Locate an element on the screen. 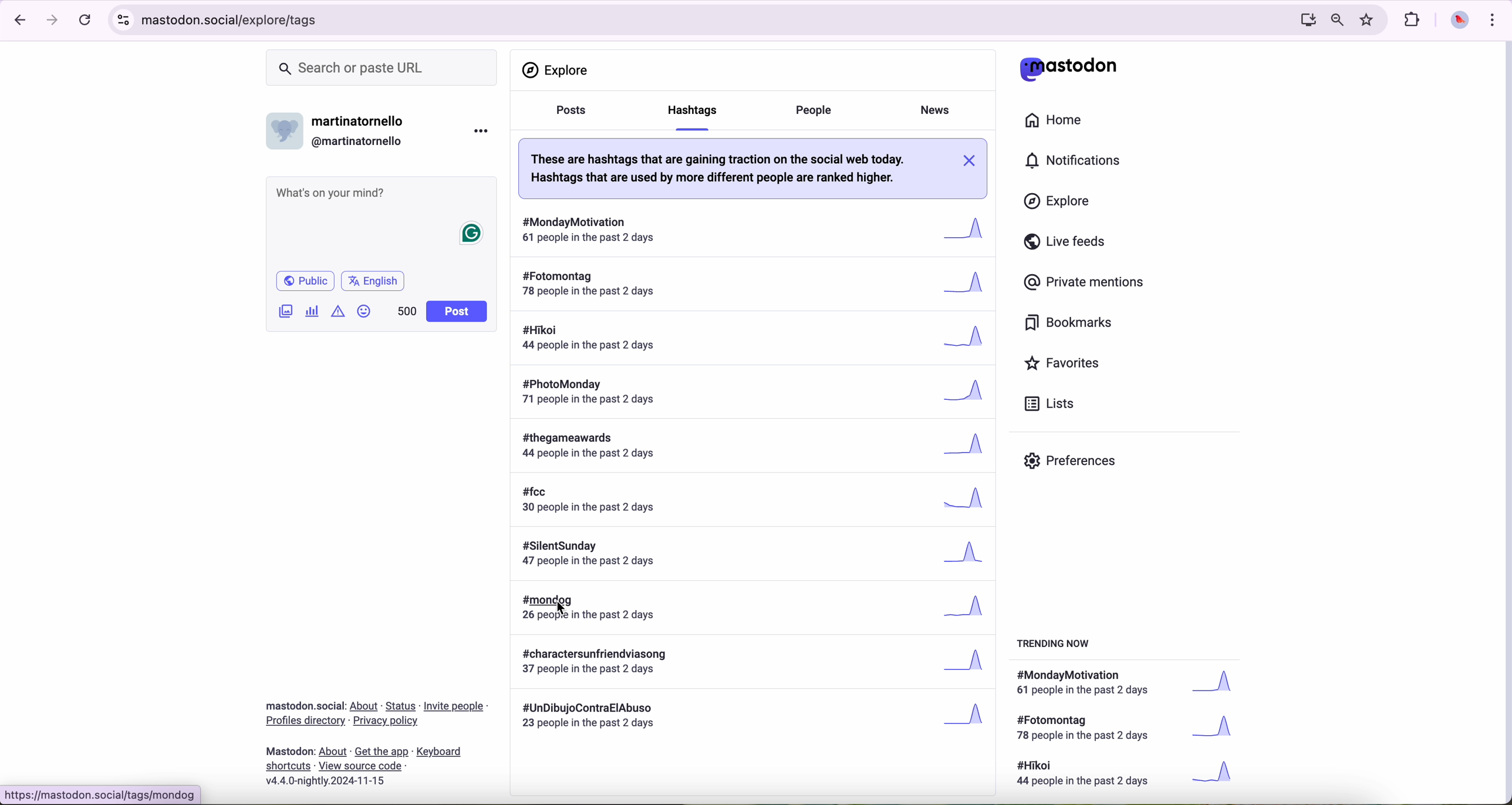 This screenshot has width=1512, height=805. #thegameawards is located at coordinates (756, 447).